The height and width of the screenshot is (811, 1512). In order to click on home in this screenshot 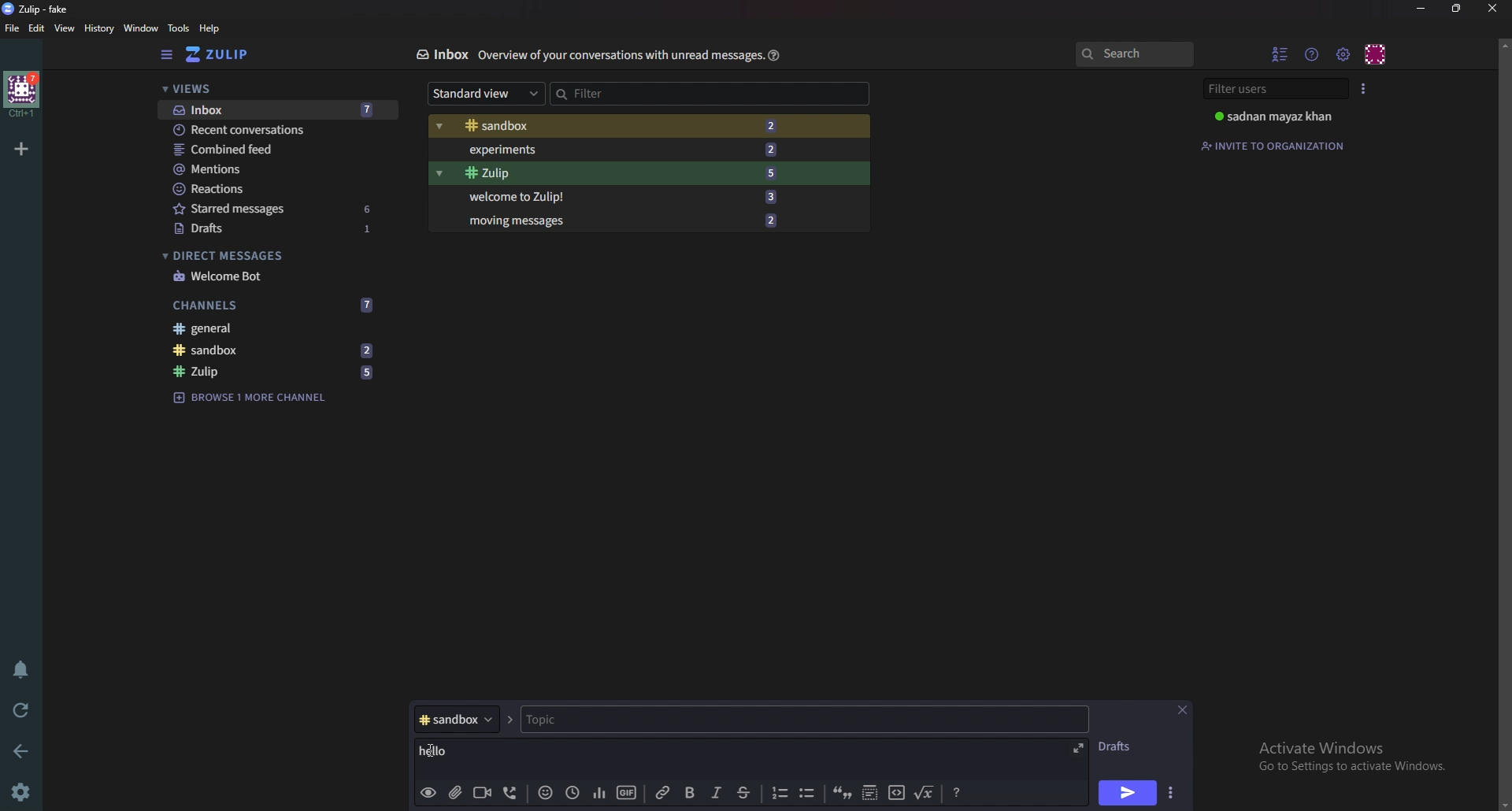, I will do `click(24, 93)`.